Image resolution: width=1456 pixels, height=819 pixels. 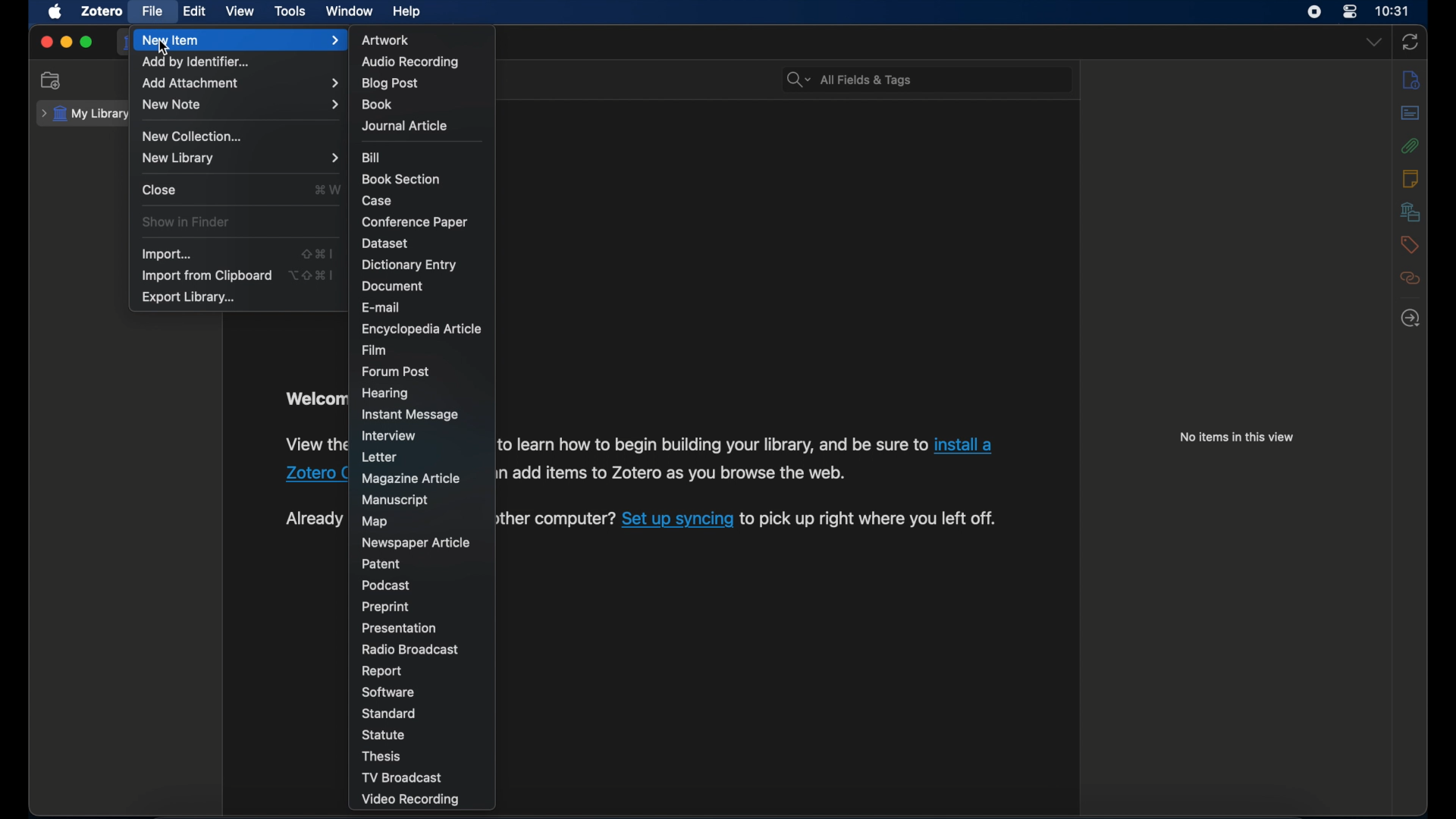 I want to click on book section, so click(x=400, y=178).